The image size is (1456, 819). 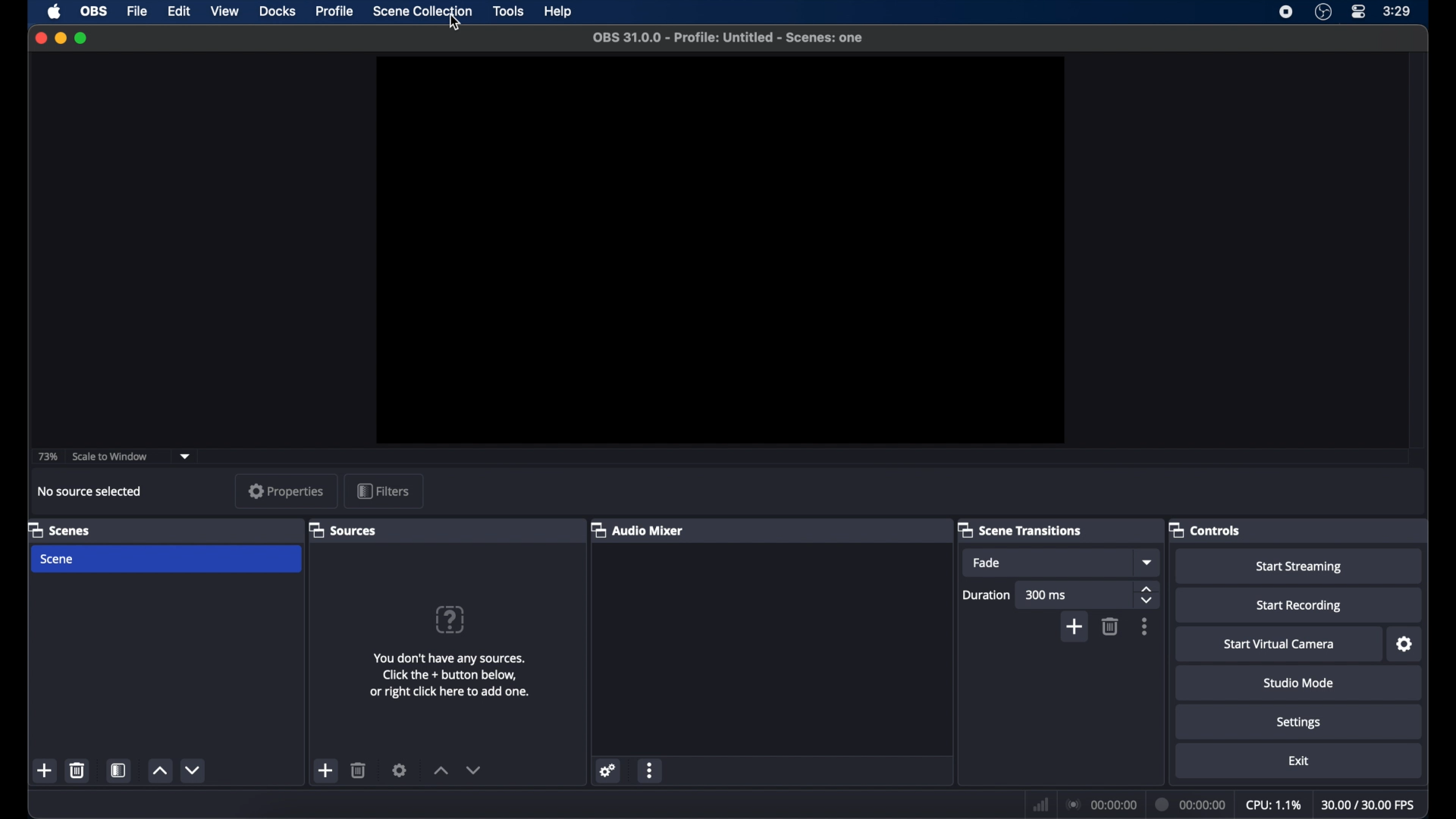 I want to click on delete, so click(x=359, y=770).